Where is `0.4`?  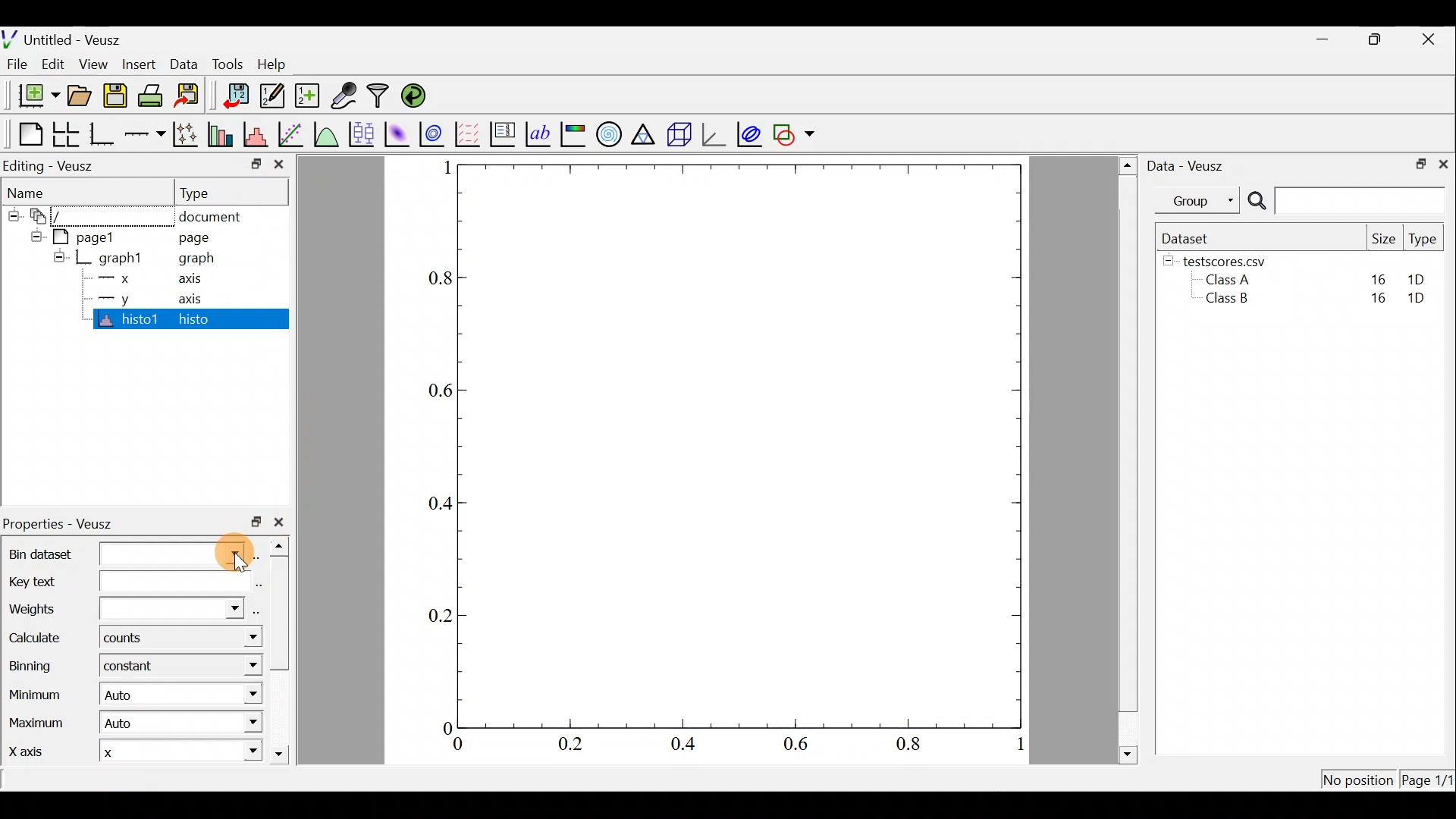 0.4 is located at coordinates (433, 502).